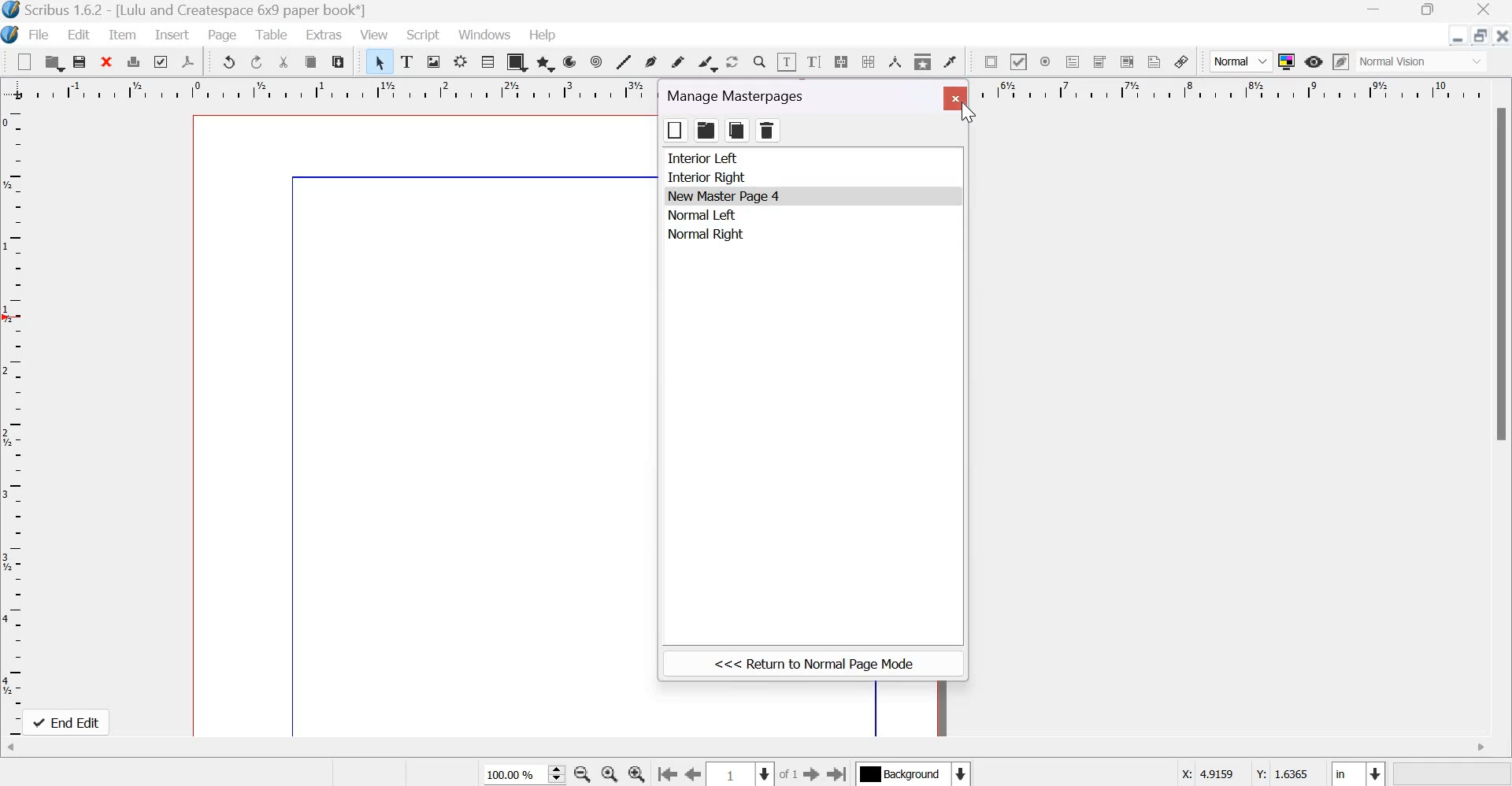 This screenshot has width=1512, height=786. I want to click on Close, so click(1484, 9).